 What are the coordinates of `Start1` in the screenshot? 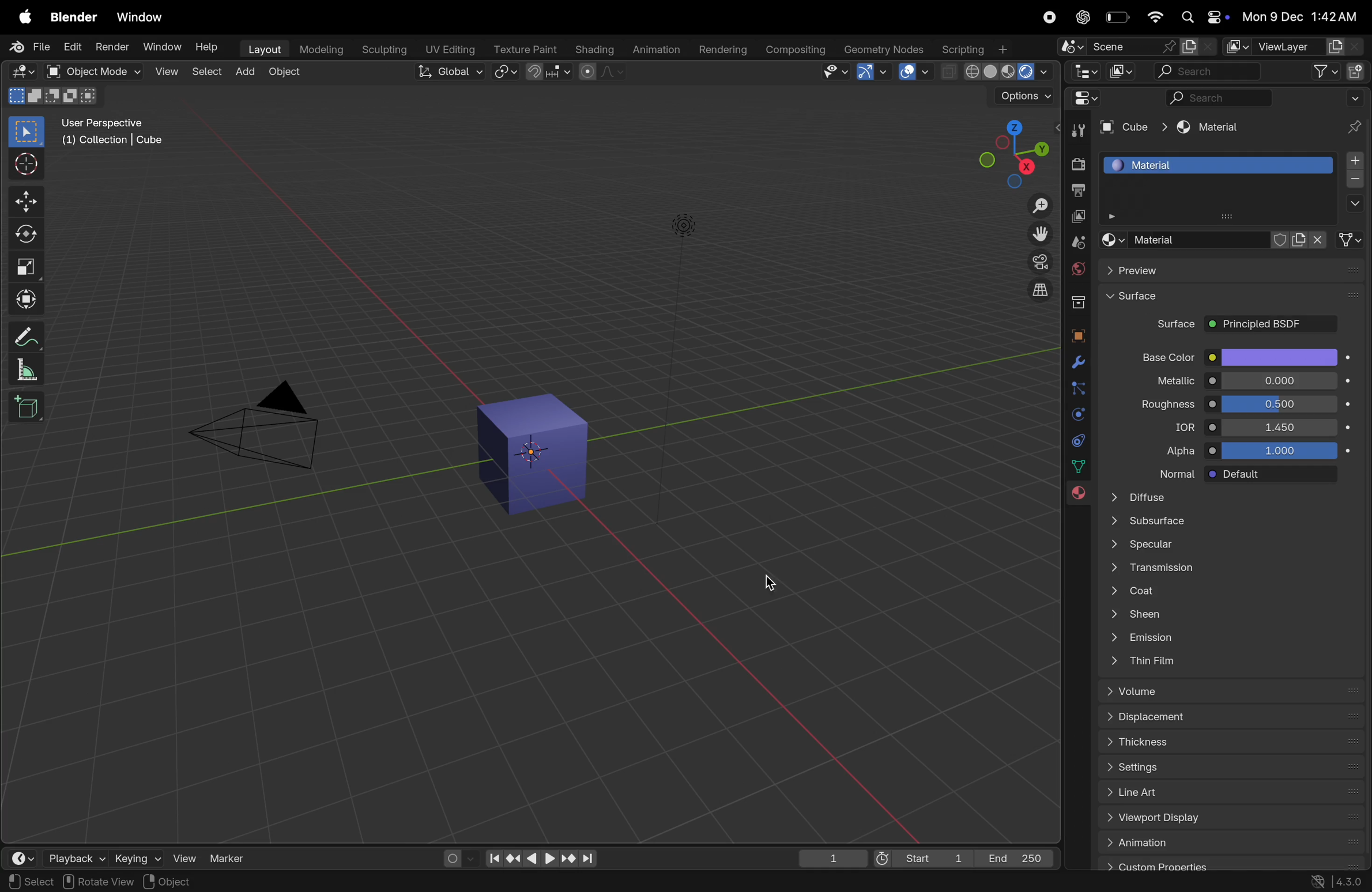 It's located at (919, 860).